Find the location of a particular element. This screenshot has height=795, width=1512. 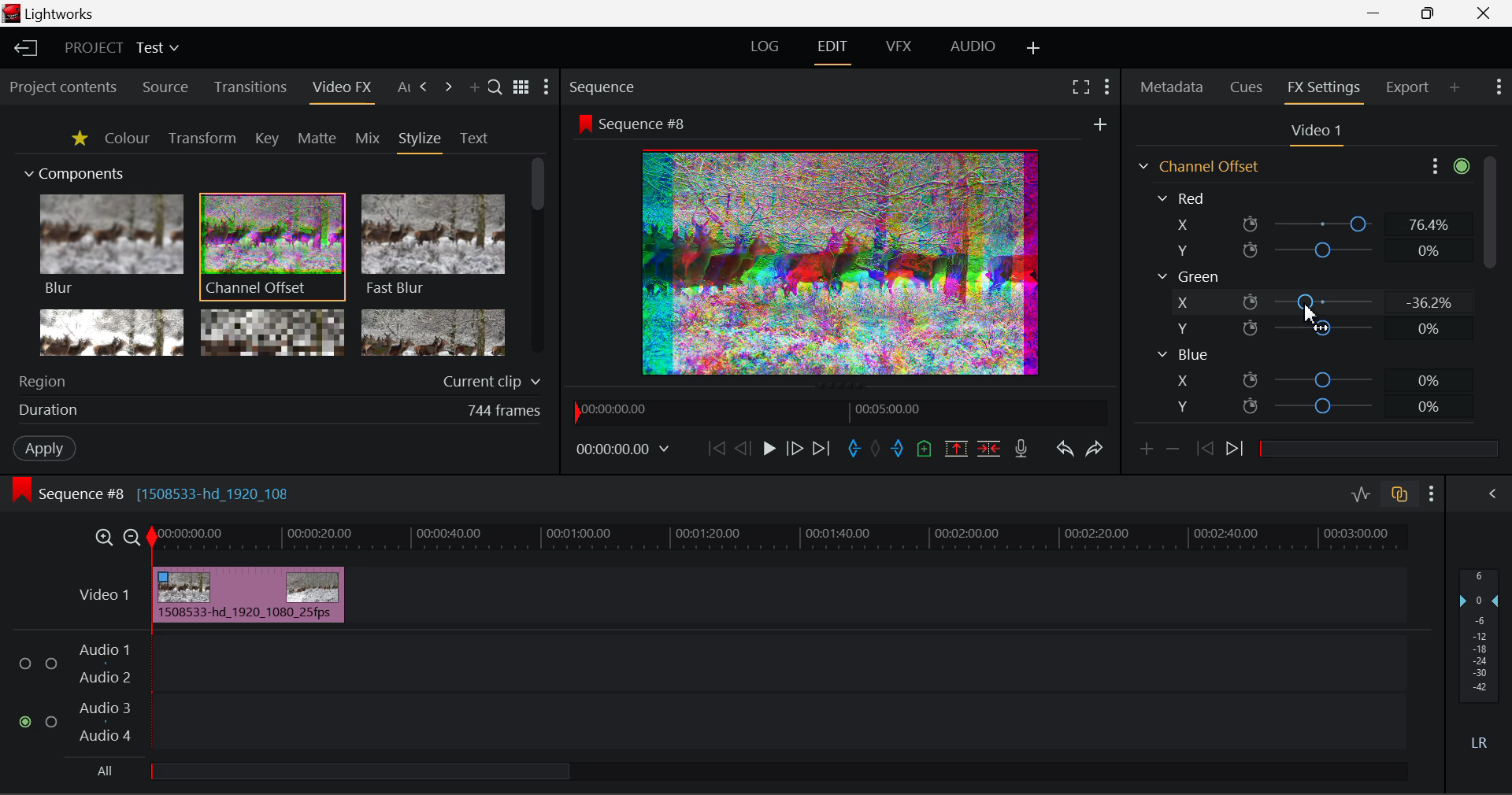

Export is located at coordinates (1408, 87).